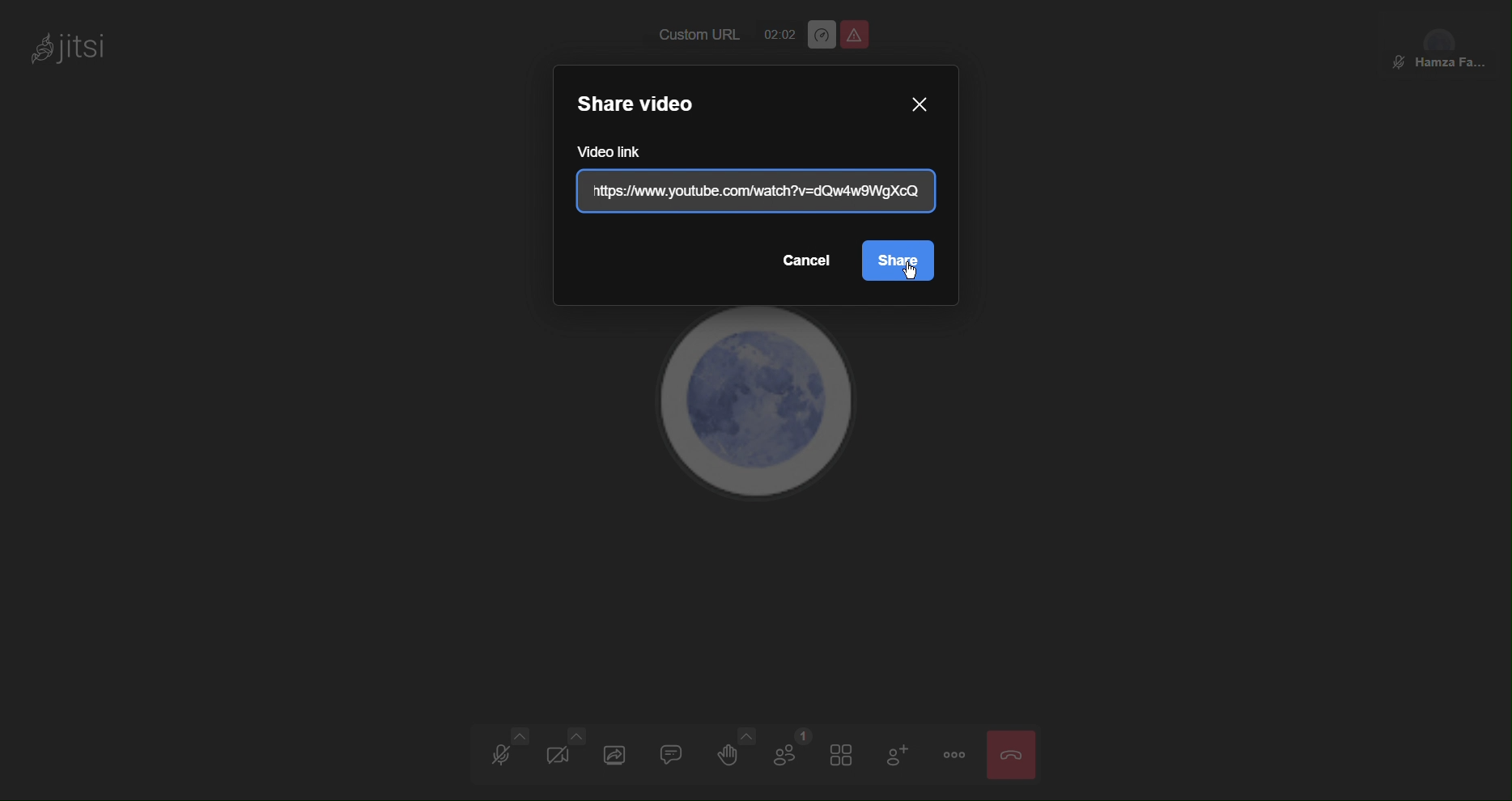 Image resolution: width=1512 pixels, height=801 pixels. What do you see at coordinates (904, 755) in the screenshot?
I see `Add Participant` at bounding box center [904, 755].